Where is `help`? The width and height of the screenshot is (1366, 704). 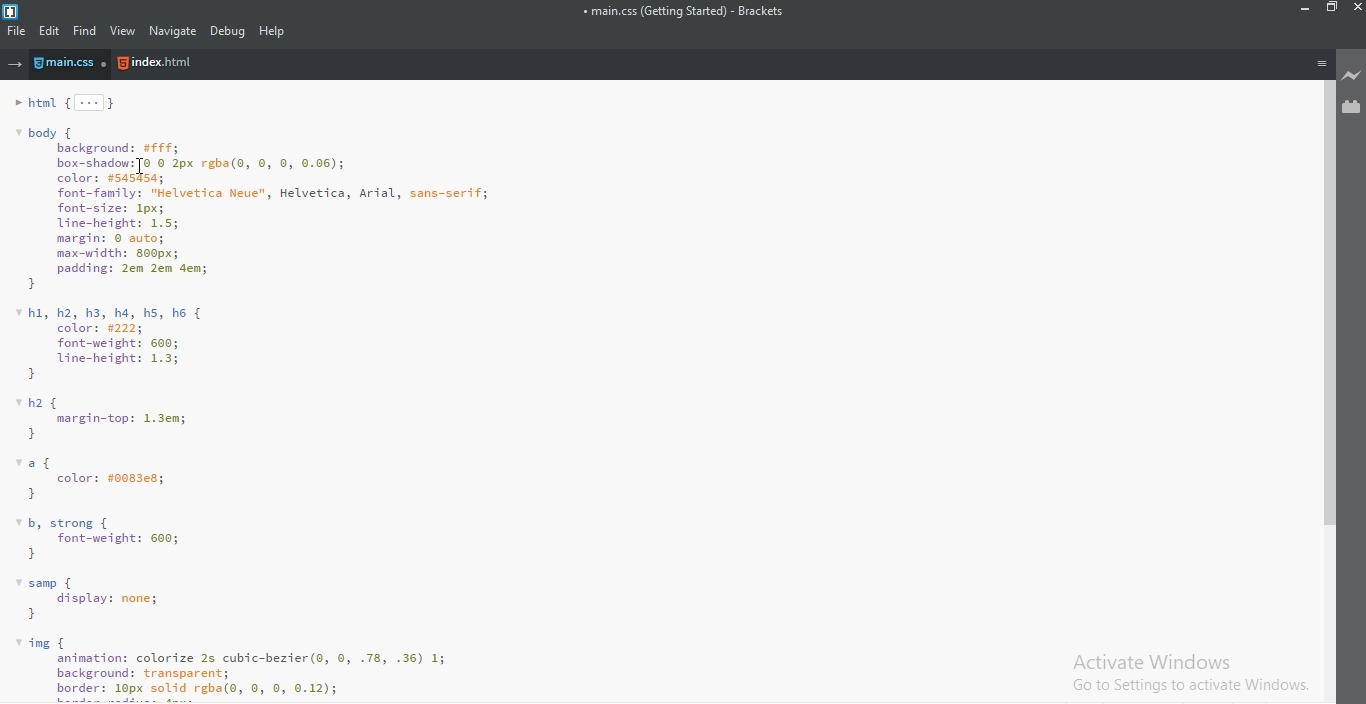
help is located at coordinates (274, 31).